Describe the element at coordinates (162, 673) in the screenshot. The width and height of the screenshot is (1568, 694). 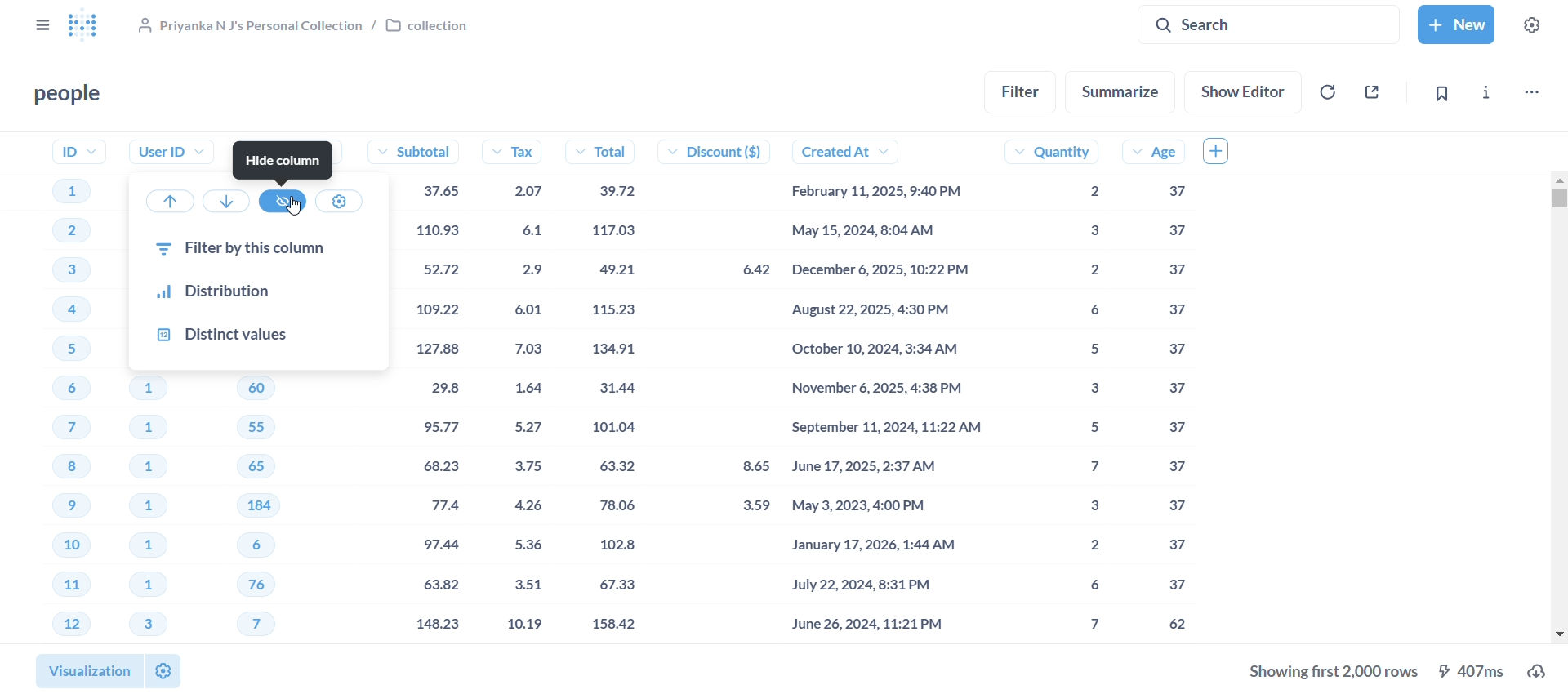
I see `settings` at that location.